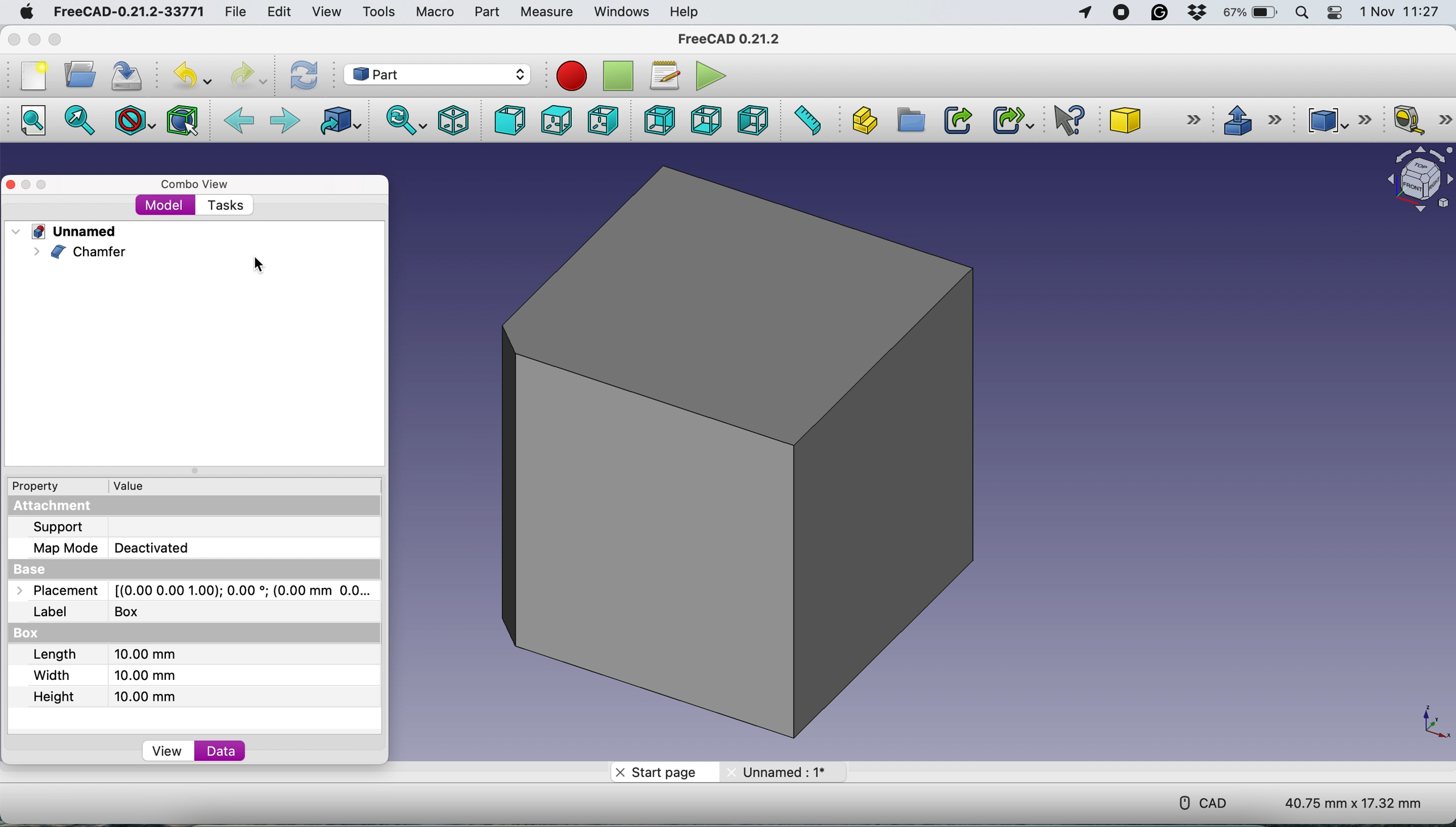  Describe the element at coordinates (754, 119) in the screenshot. I see `left` at that location.